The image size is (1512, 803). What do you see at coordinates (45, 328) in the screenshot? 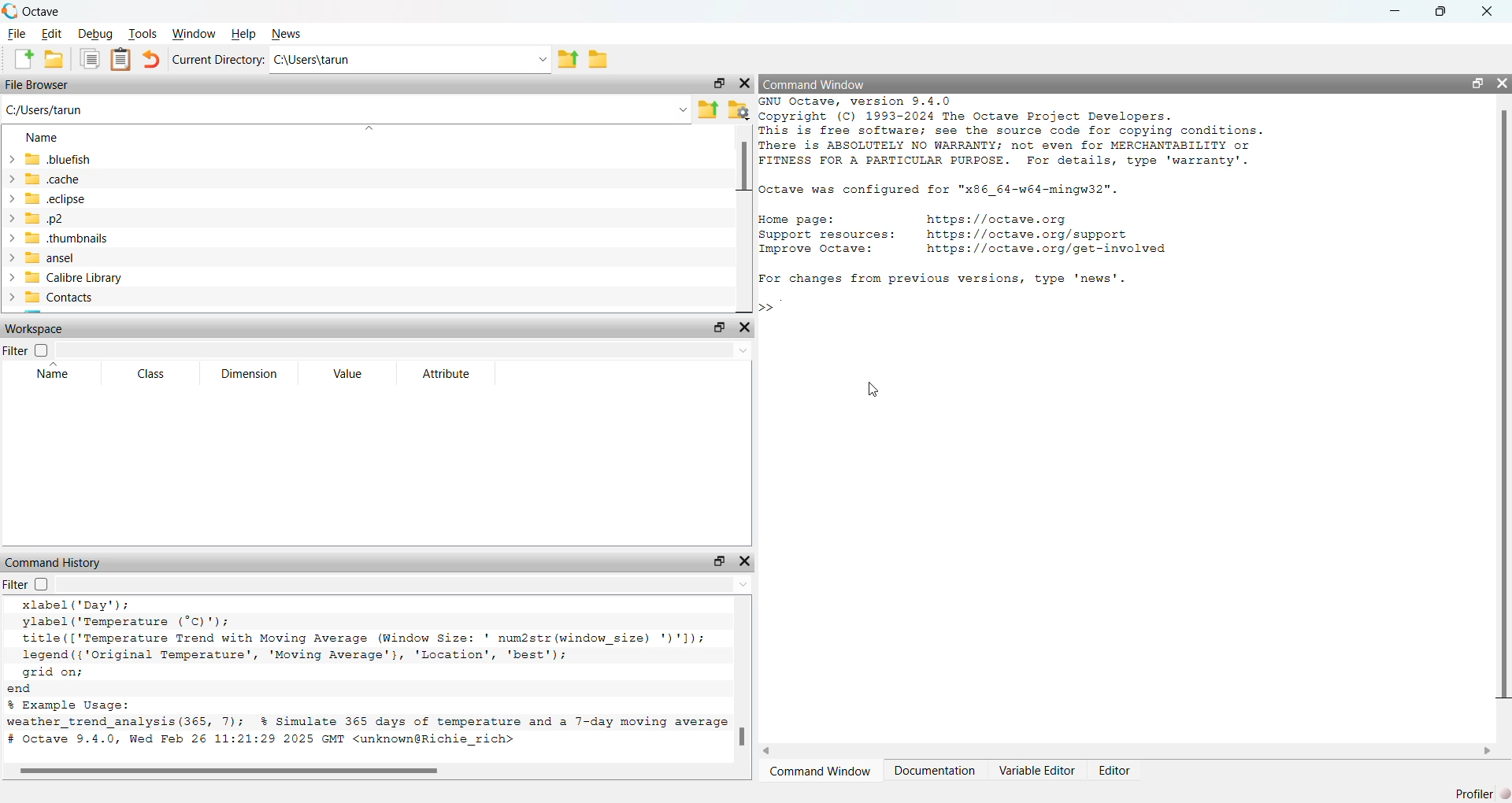
I see `Workspace` at bounding box center [45, 328].